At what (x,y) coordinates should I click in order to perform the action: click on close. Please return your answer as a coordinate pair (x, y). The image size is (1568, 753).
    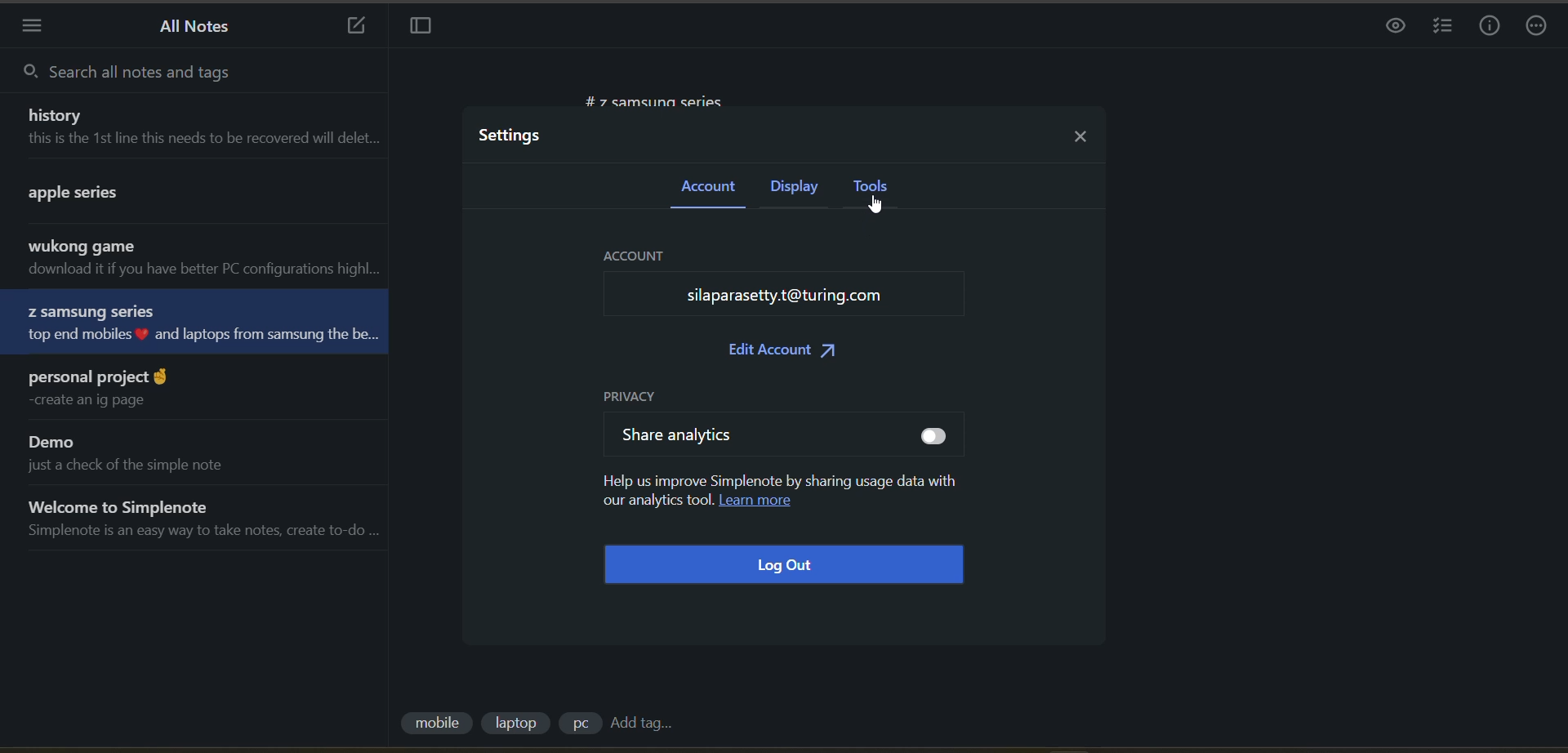
    Looking at the image, I should click on (1088, 138).